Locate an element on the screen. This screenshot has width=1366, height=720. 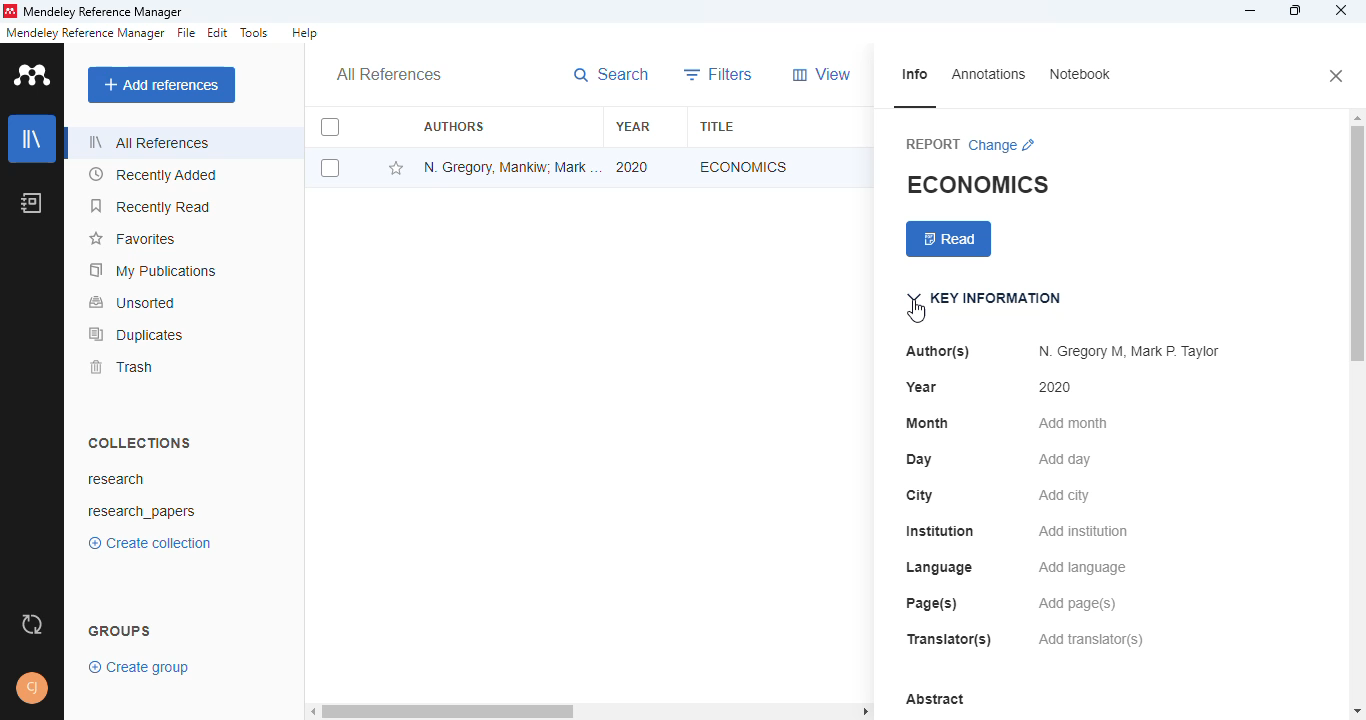
select is located at coordinates (330, 168).